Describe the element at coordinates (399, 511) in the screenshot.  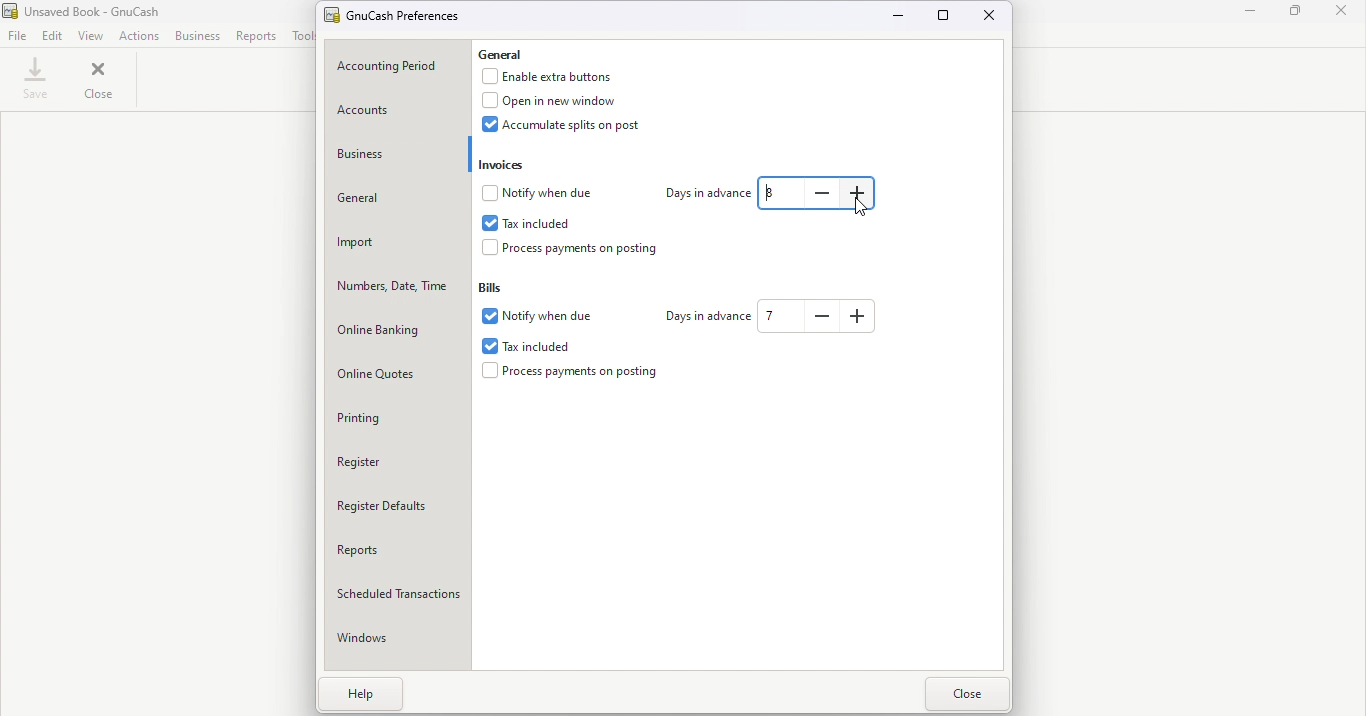
I see `Register Defaults` at that location.